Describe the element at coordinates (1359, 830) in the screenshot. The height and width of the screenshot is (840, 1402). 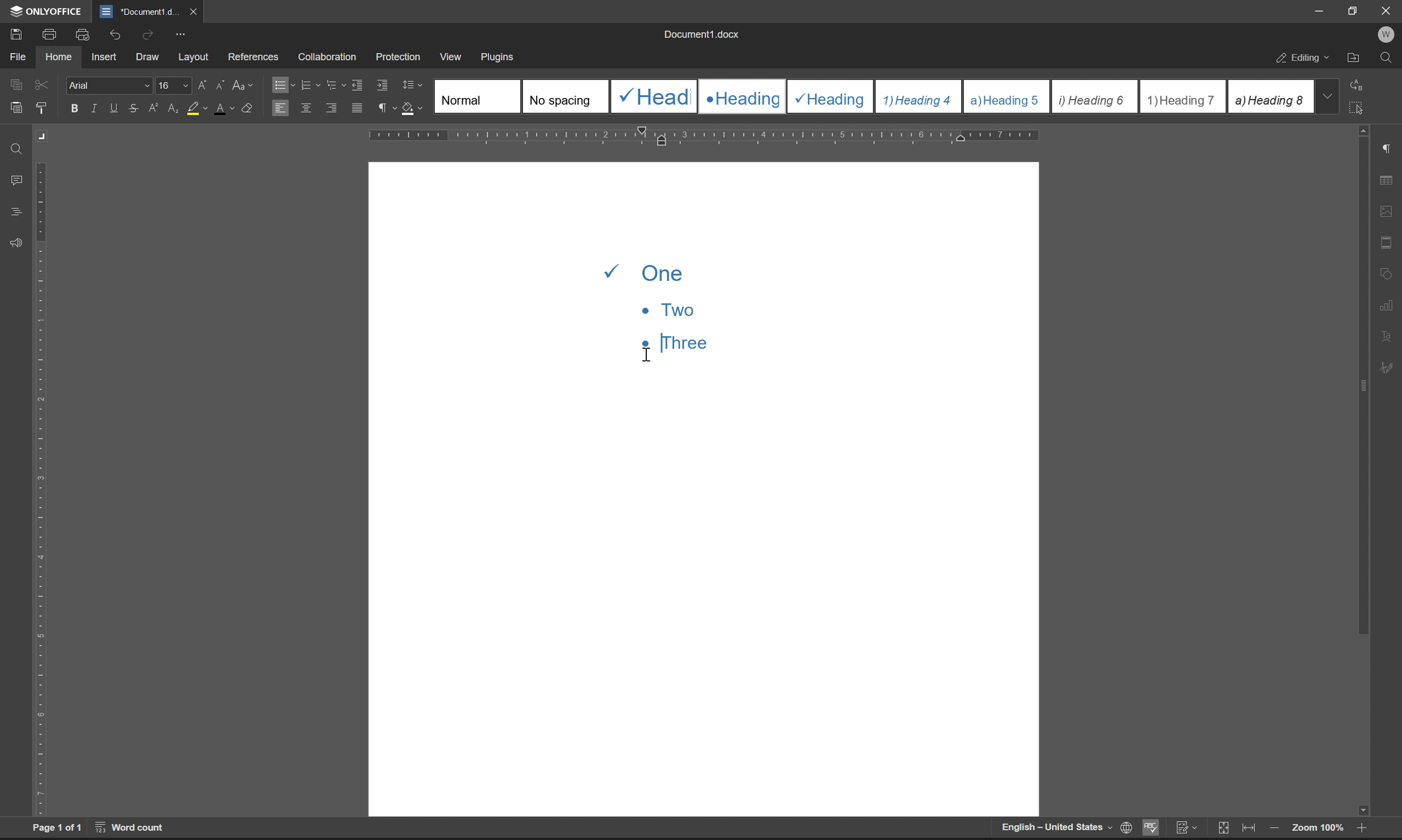
I see `zoom in` at that location.